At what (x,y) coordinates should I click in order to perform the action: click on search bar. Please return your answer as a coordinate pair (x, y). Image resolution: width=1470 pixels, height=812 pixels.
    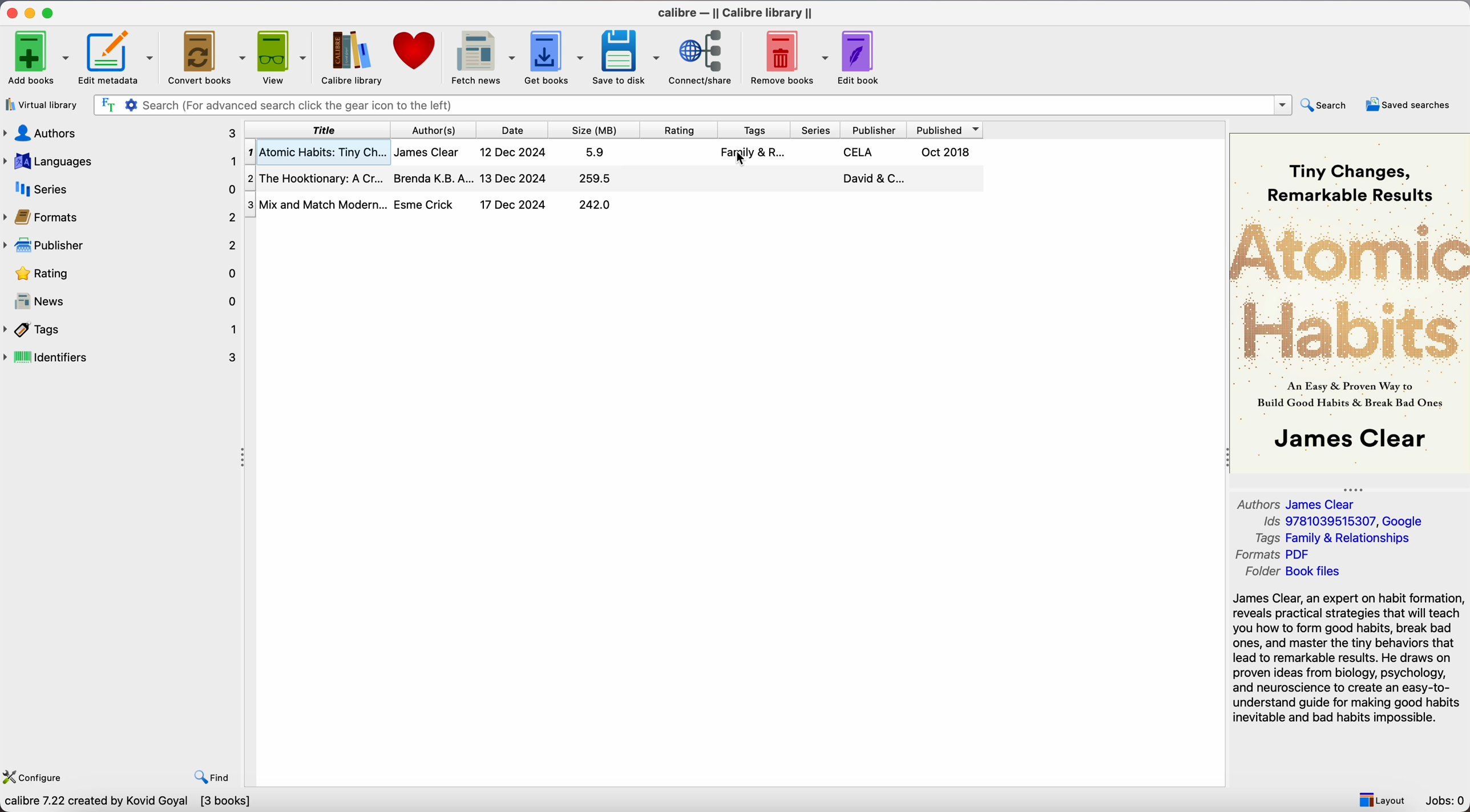
    Looking at the image, I should click on (694, 104).